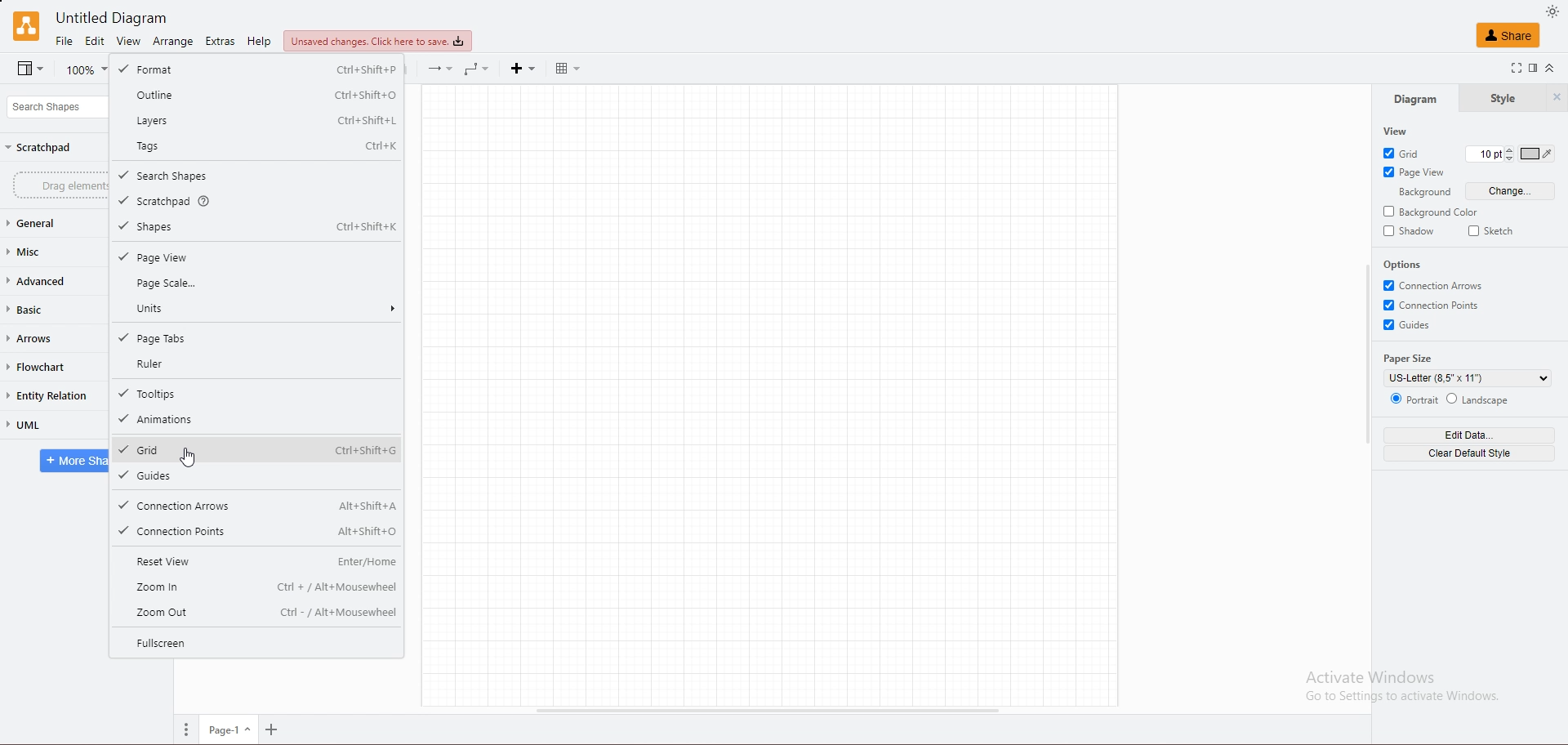 The width and height of the screenshot is (1568, 745). I want to click on waypoint, so click(479, 69).